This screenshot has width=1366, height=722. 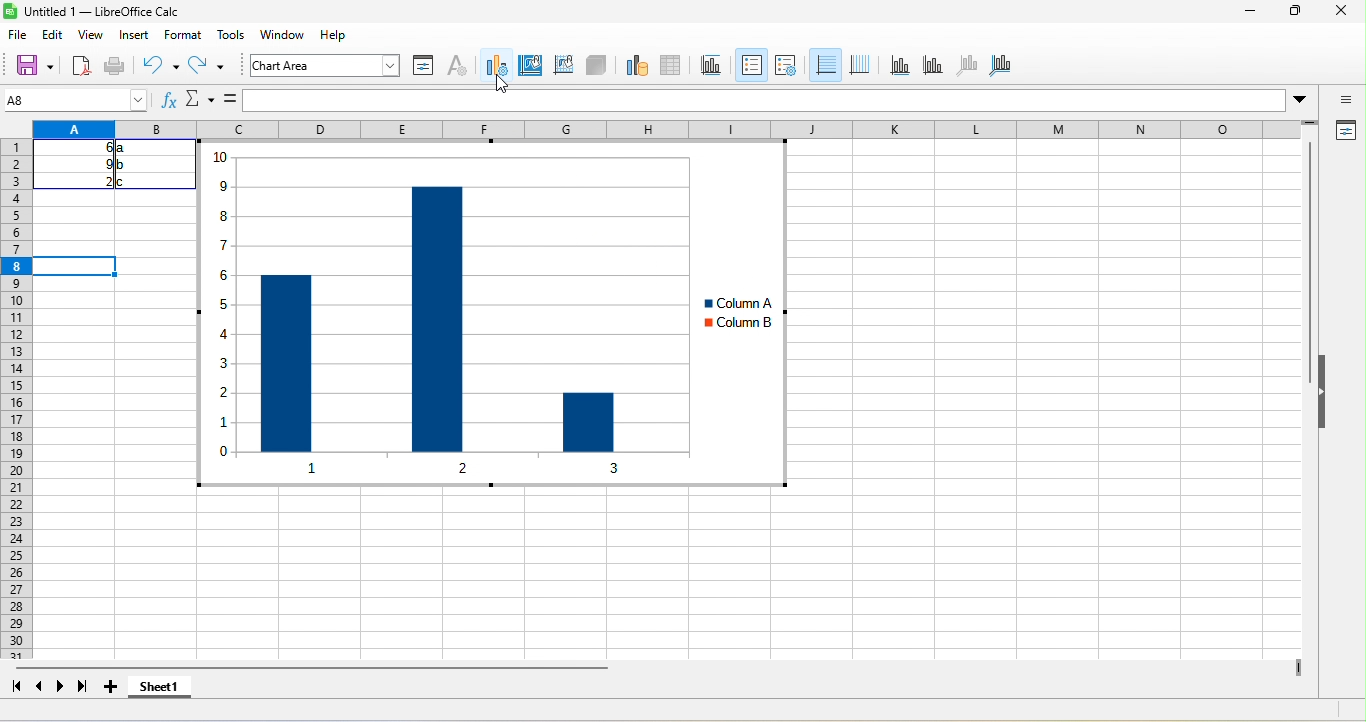 What do you see at coordinates (1307, 294) in the screenshot?
I see `vertical scroll bar` at bounding box center [1307, 294].